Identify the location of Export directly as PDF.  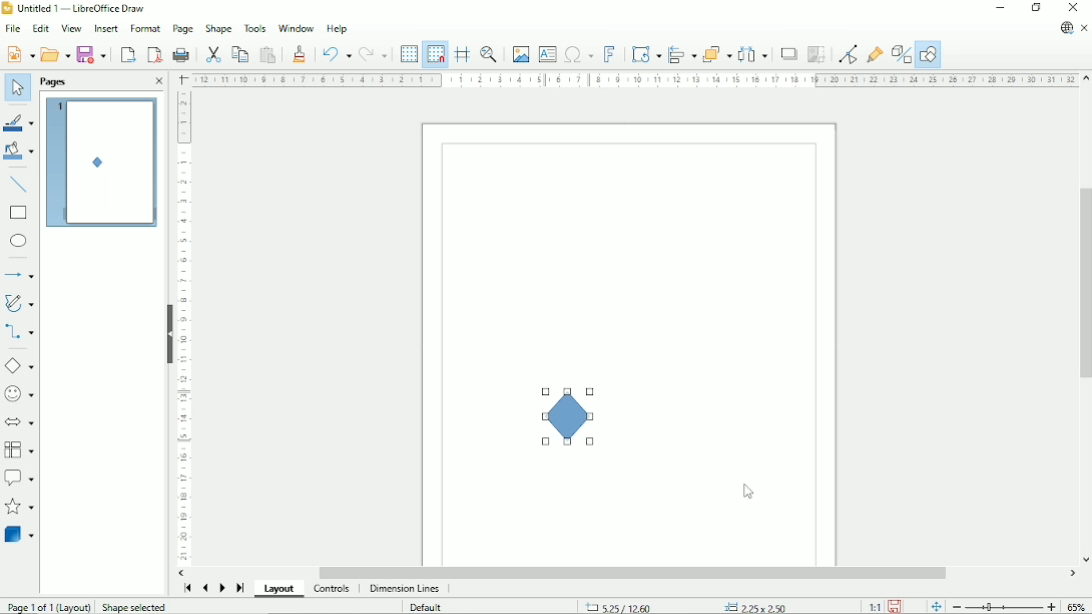
(152, 54).